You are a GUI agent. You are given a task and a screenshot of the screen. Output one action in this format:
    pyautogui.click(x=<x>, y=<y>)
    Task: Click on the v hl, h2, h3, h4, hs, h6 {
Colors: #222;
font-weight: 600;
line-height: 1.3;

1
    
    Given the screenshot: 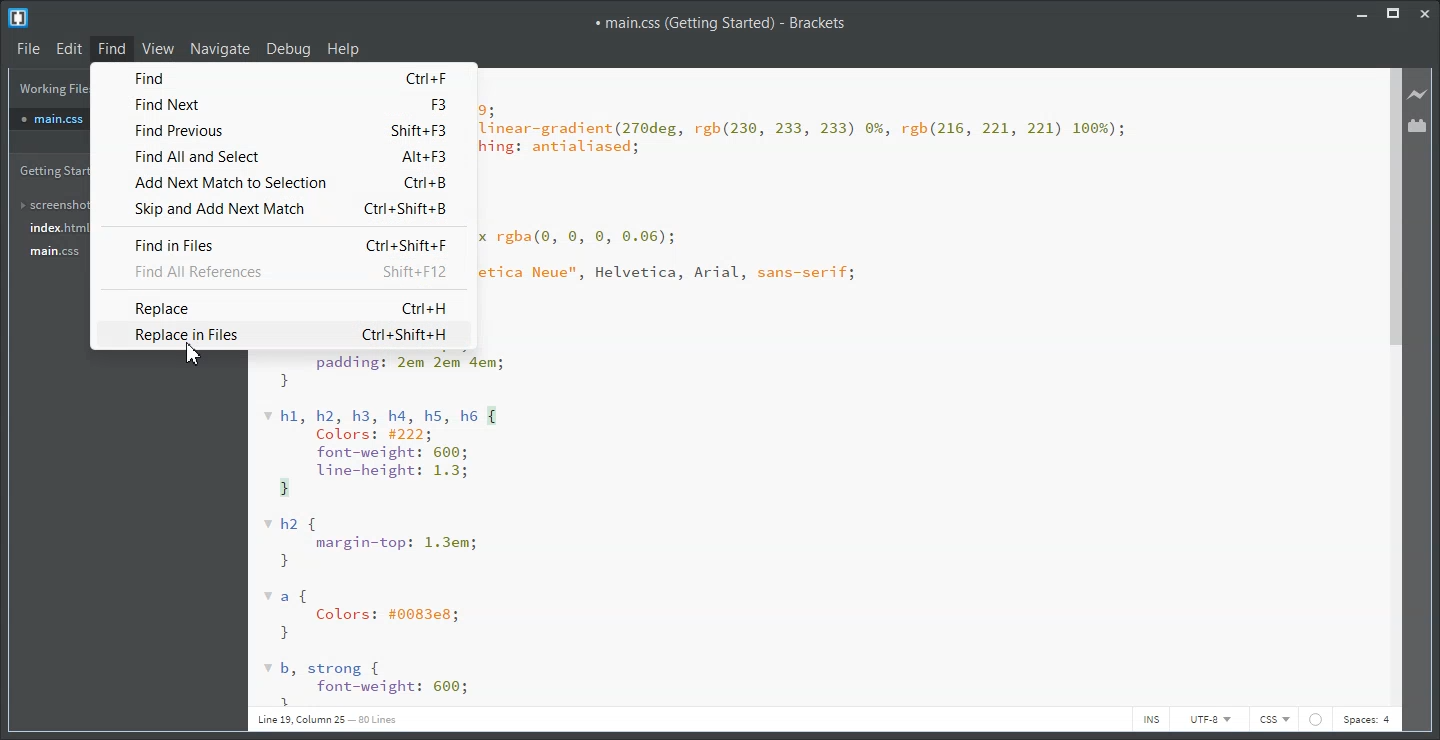 What is the action you would take?
    pyautogui.click(x=393, y=453)
    